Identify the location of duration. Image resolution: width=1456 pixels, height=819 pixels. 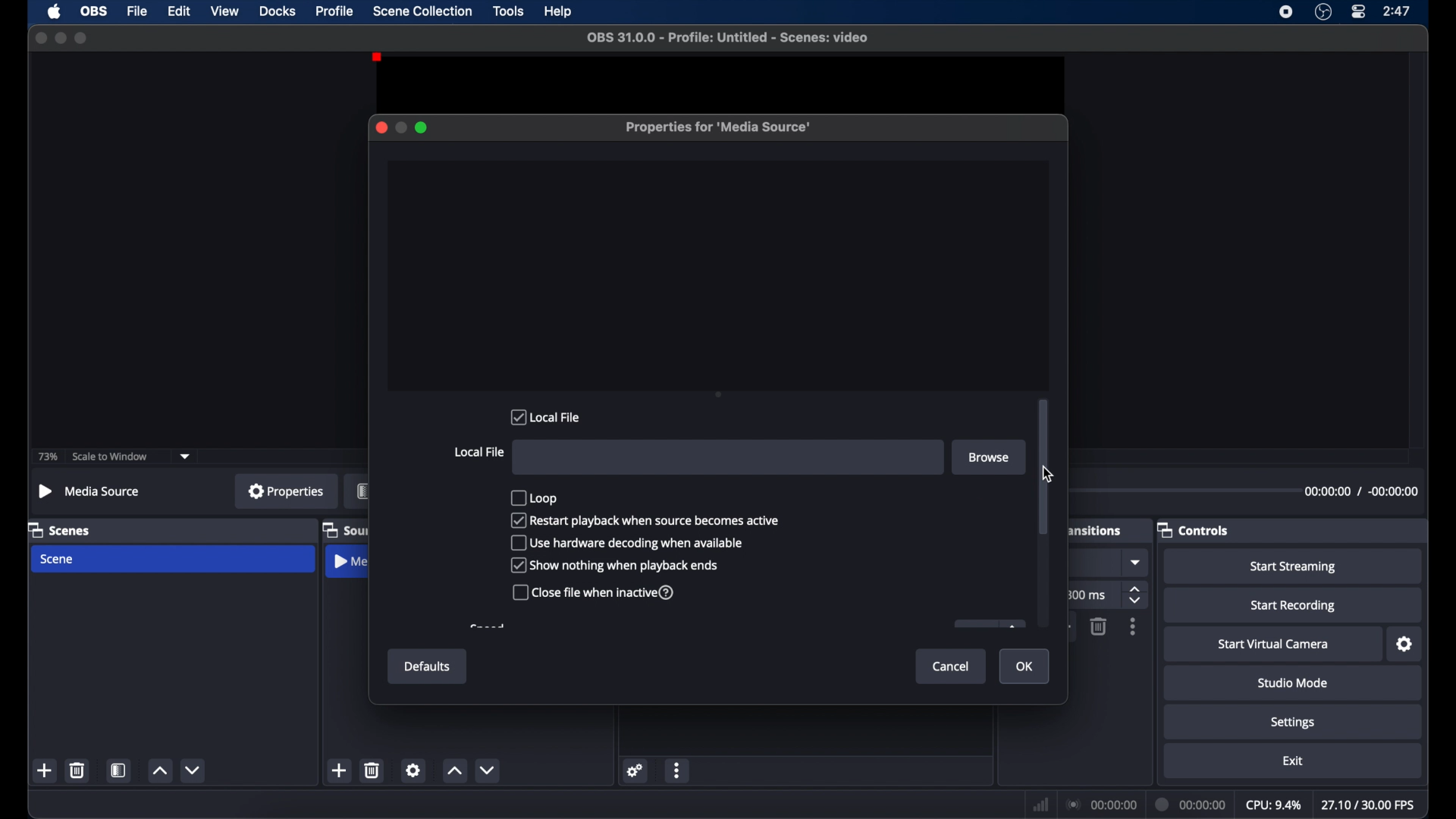
(1191, 804).